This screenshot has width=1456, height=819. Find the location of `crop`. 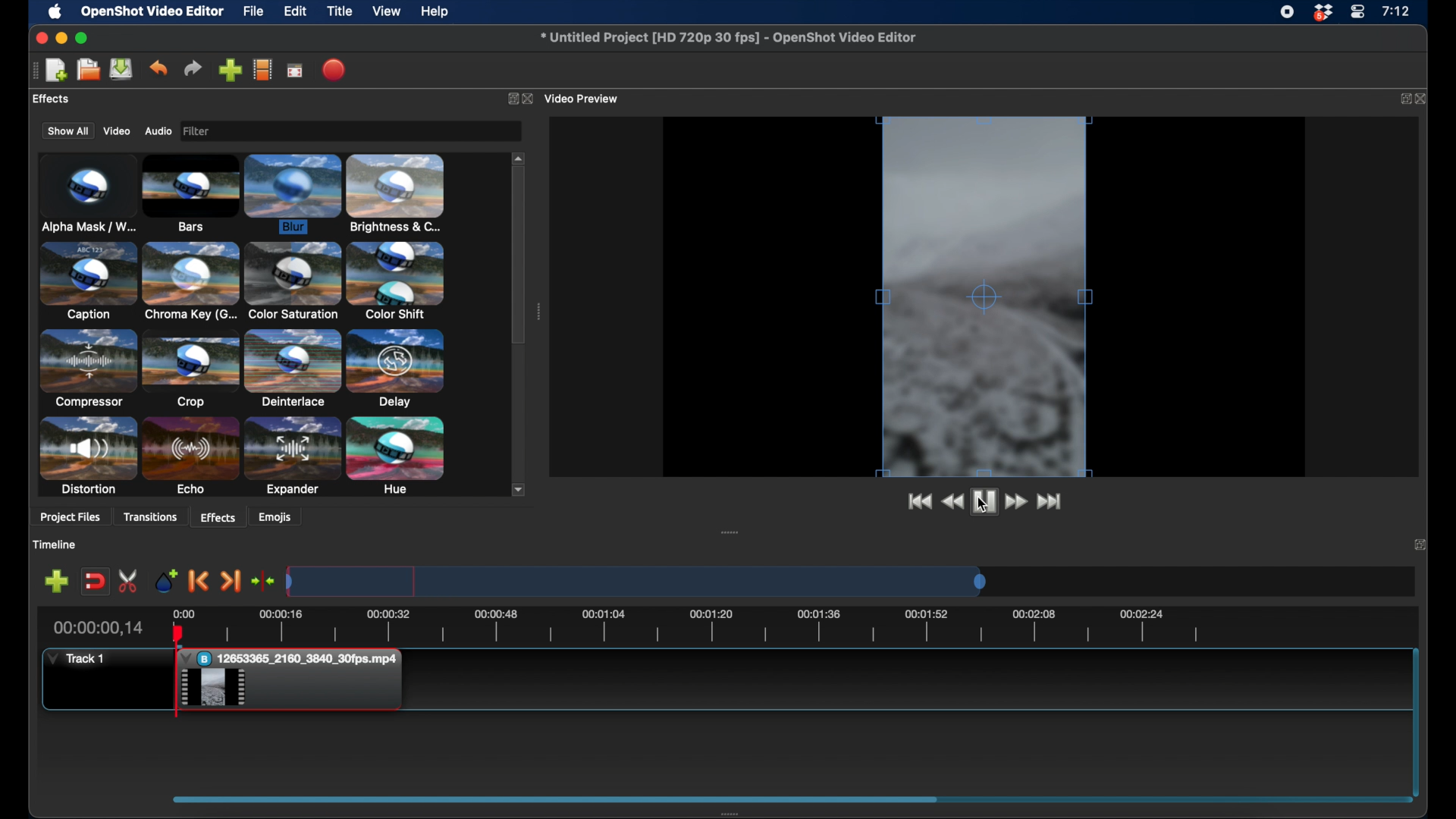

crop is located at coordinates (190, 369).